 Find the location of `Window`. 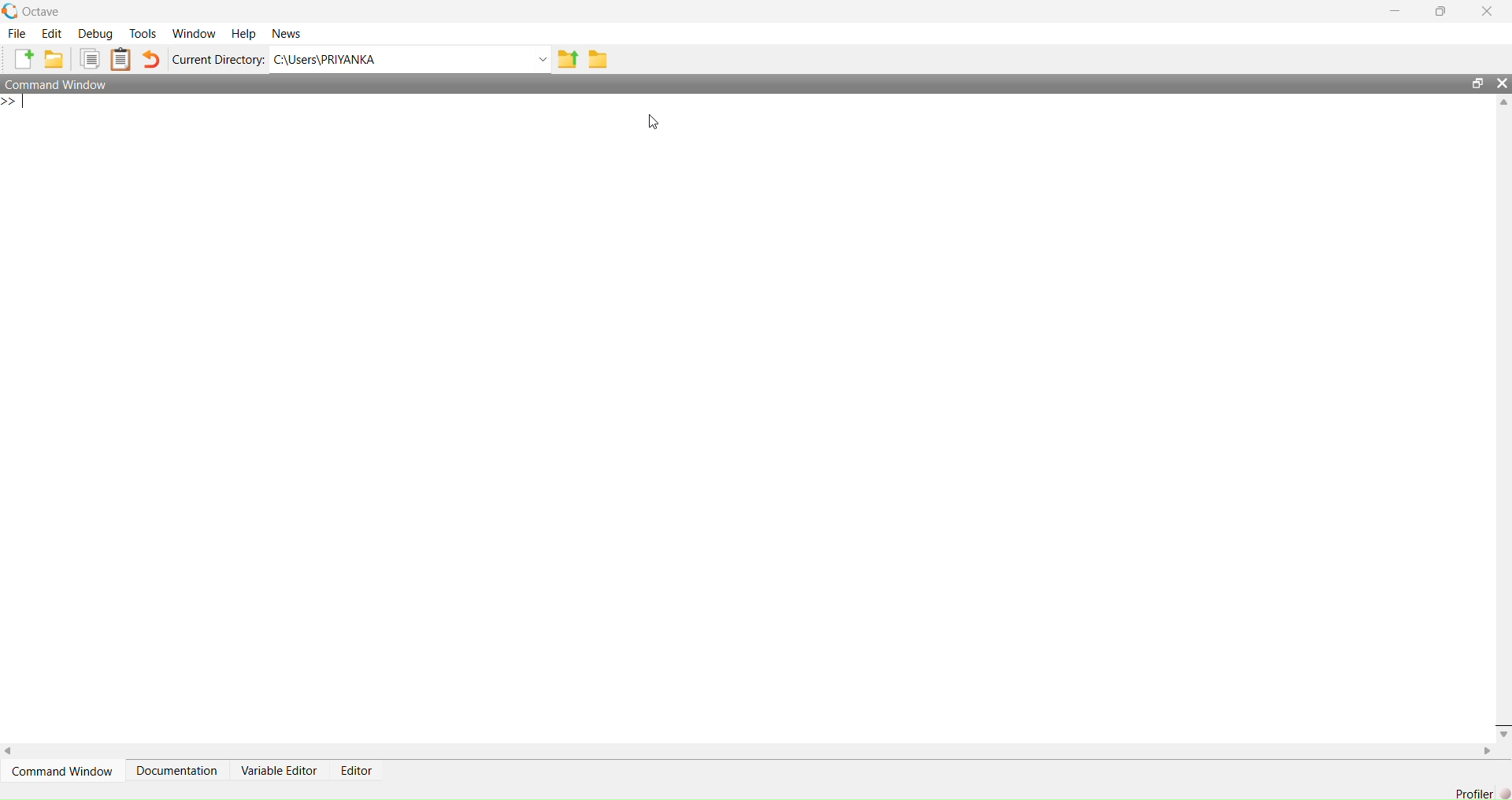

Window is located at coordinates (195, 34).